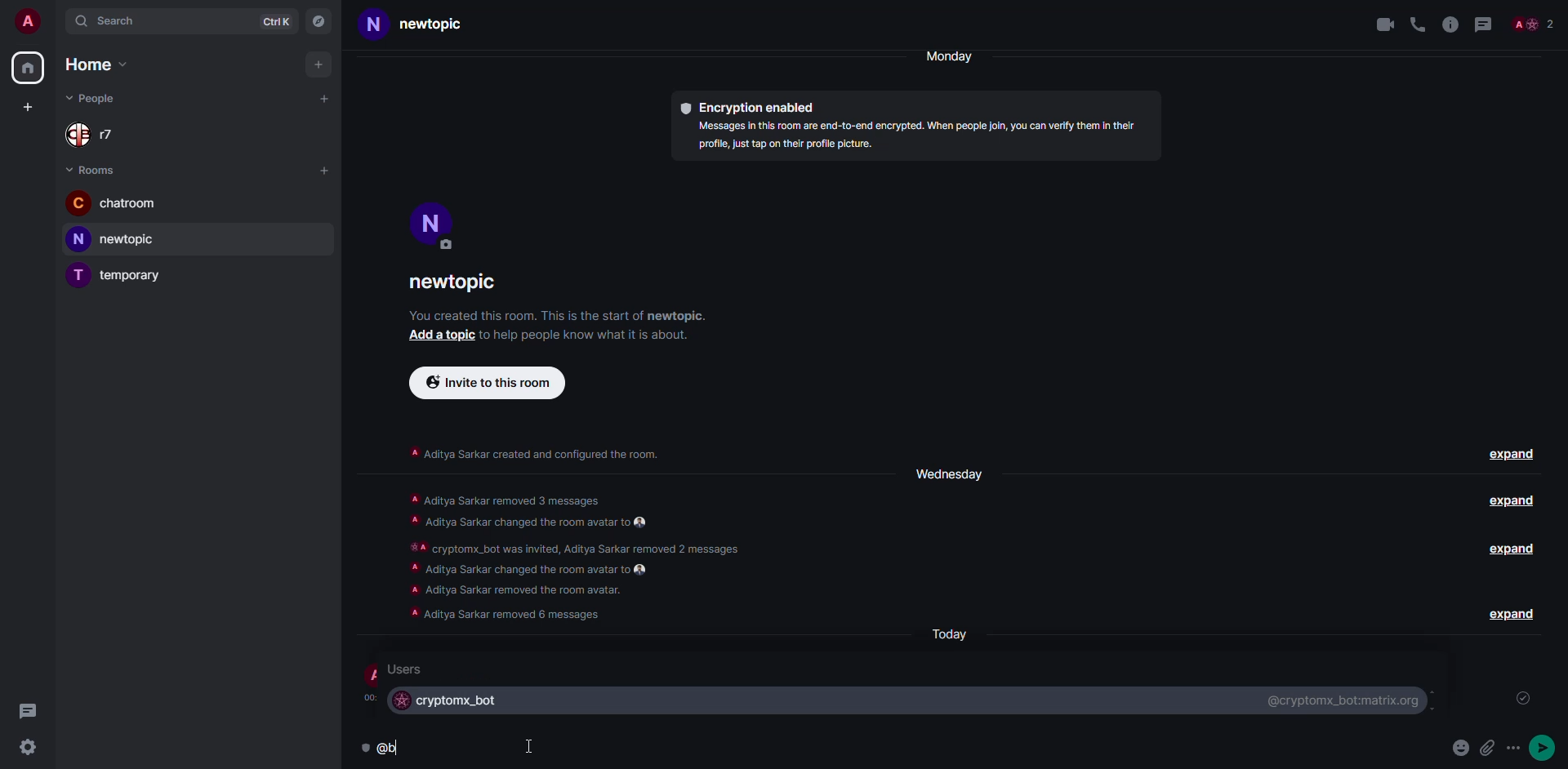 The width and height of the screenshot is (1568, 769). What do you see at coordinates (432, 222) in the screenshot?
I see `profile` at bounding box center [432, 222].